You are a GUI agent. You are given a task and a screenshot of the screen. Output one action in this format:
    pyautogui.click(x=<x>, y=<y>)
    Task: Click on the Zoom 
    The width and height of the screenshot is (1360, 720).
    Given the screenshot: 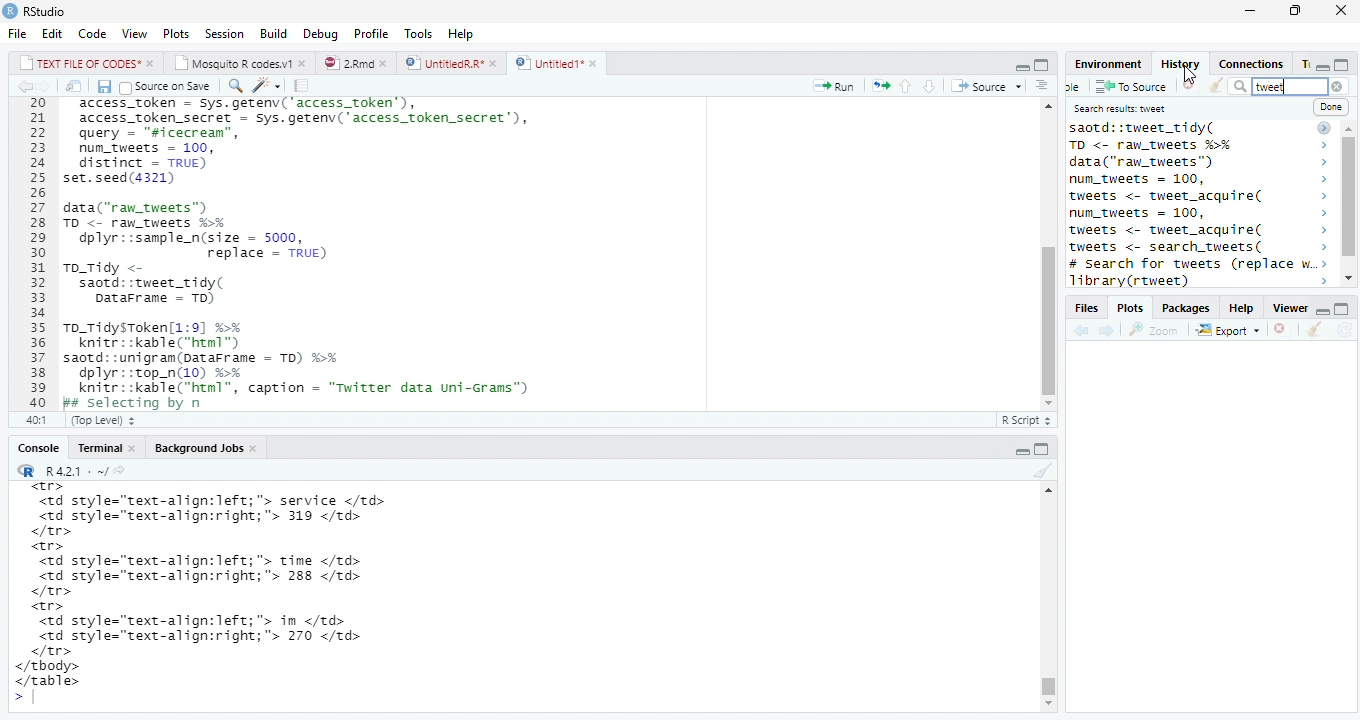 What is the action you would take?
    pyautogui.click(x=1161, y=330)
    